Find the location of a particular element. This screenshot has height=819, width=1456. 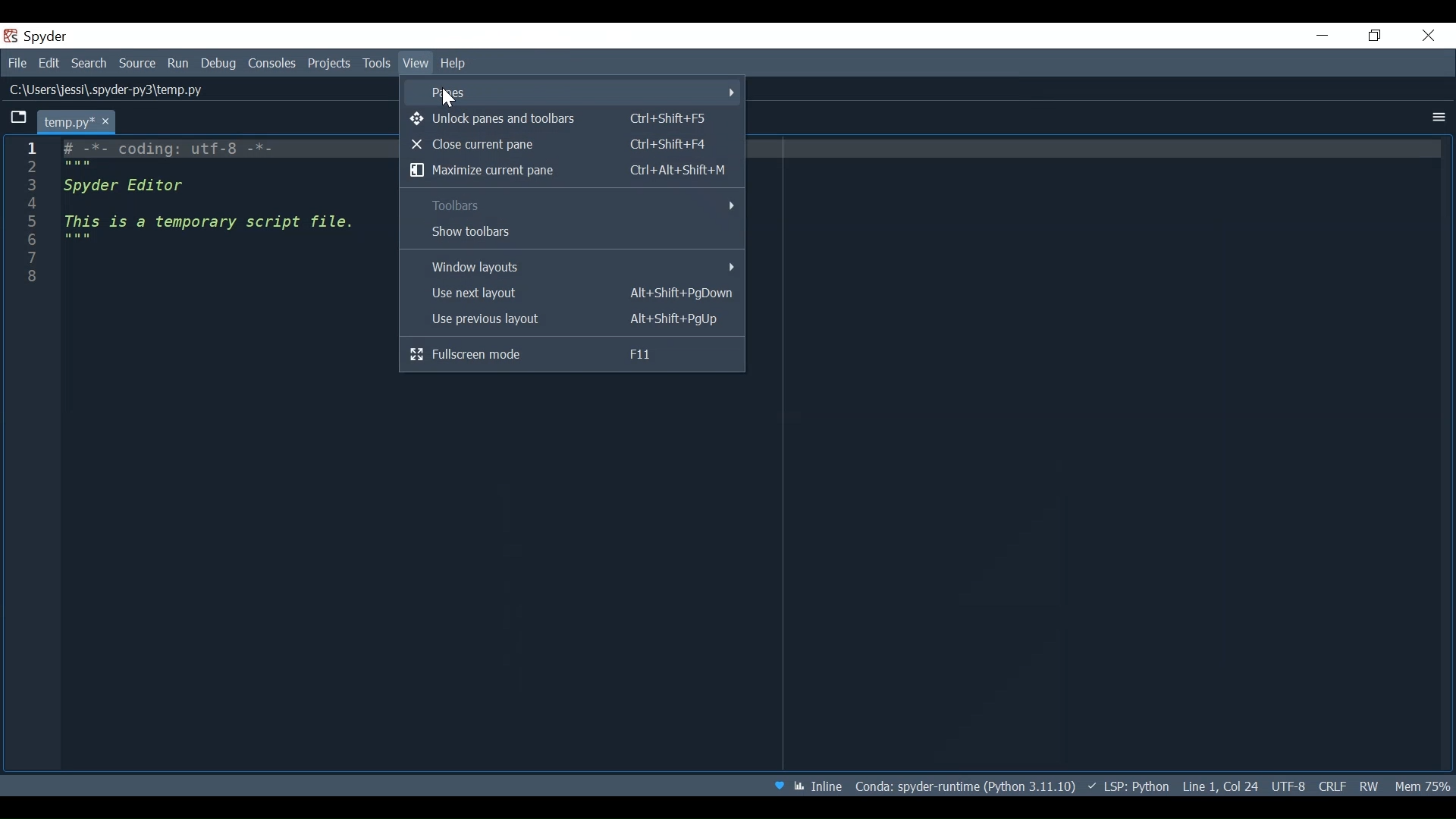

Language is located at coordinates (1128, 786).